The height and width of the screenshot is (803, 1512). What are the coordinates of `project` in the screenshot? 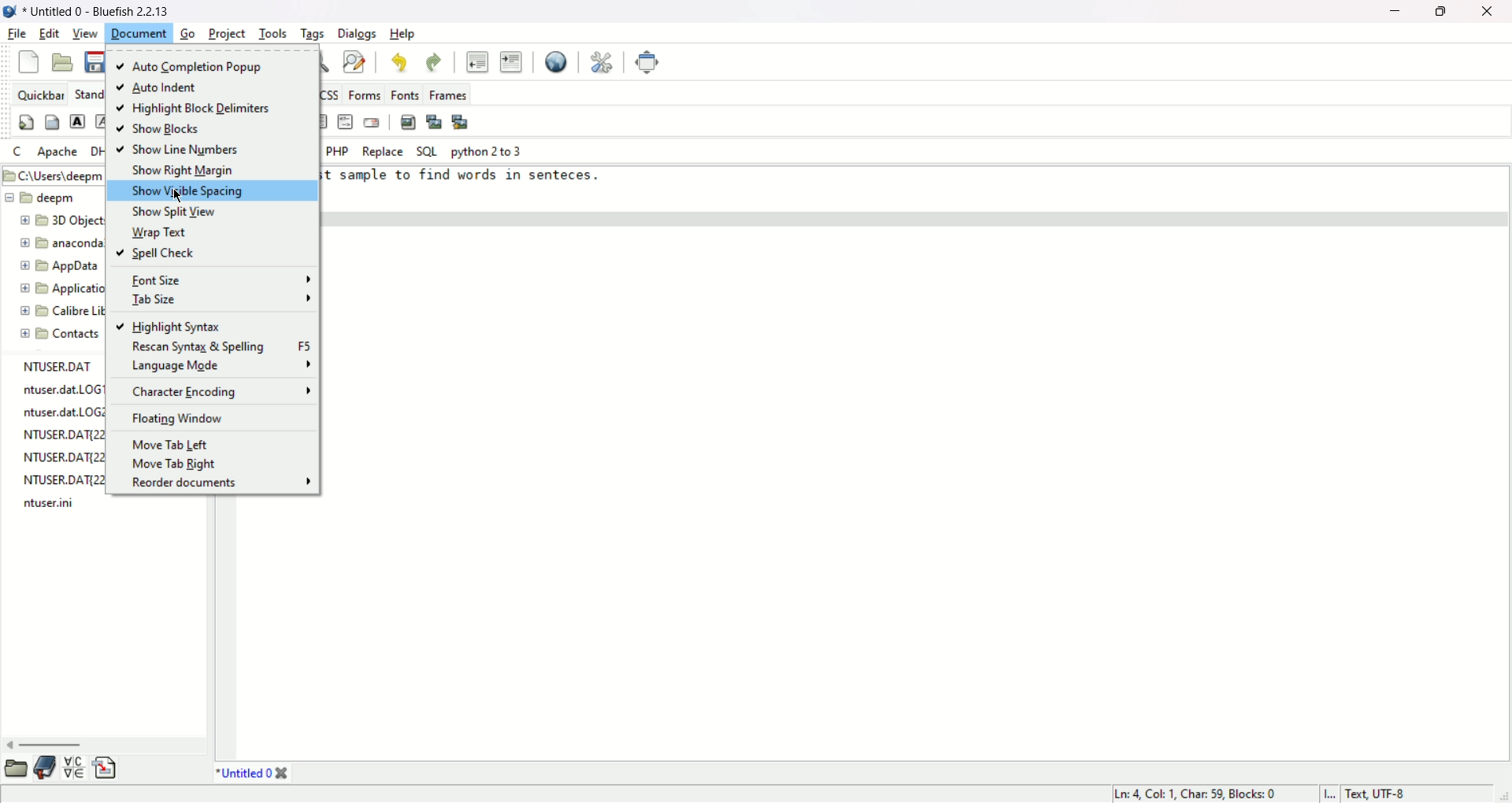 It's located at (227, 31).